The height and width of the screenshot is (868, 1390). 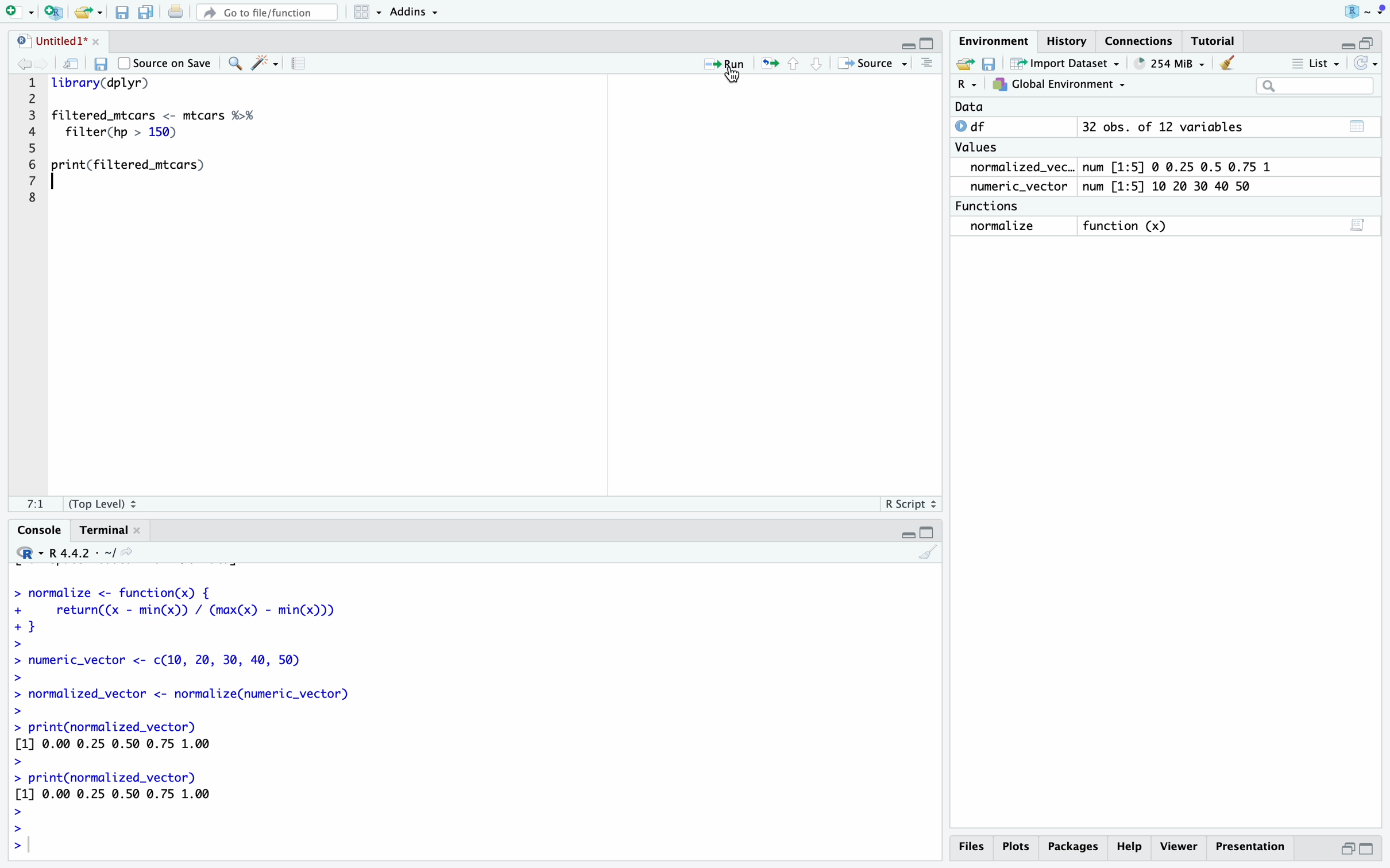 I want to click on line numbers, so click(x=32, y=137).